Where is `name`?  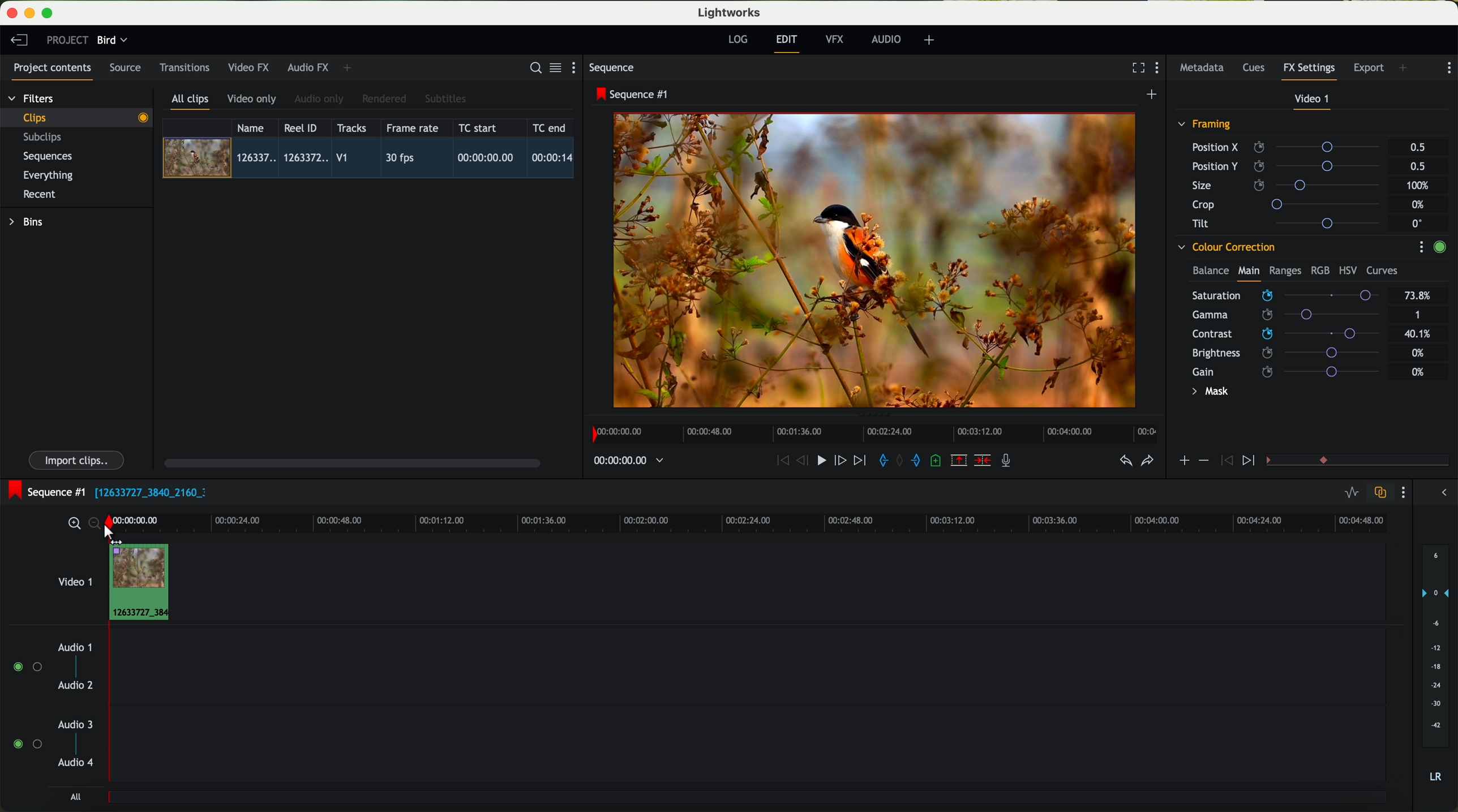 name is located at coordinates (255, 128).